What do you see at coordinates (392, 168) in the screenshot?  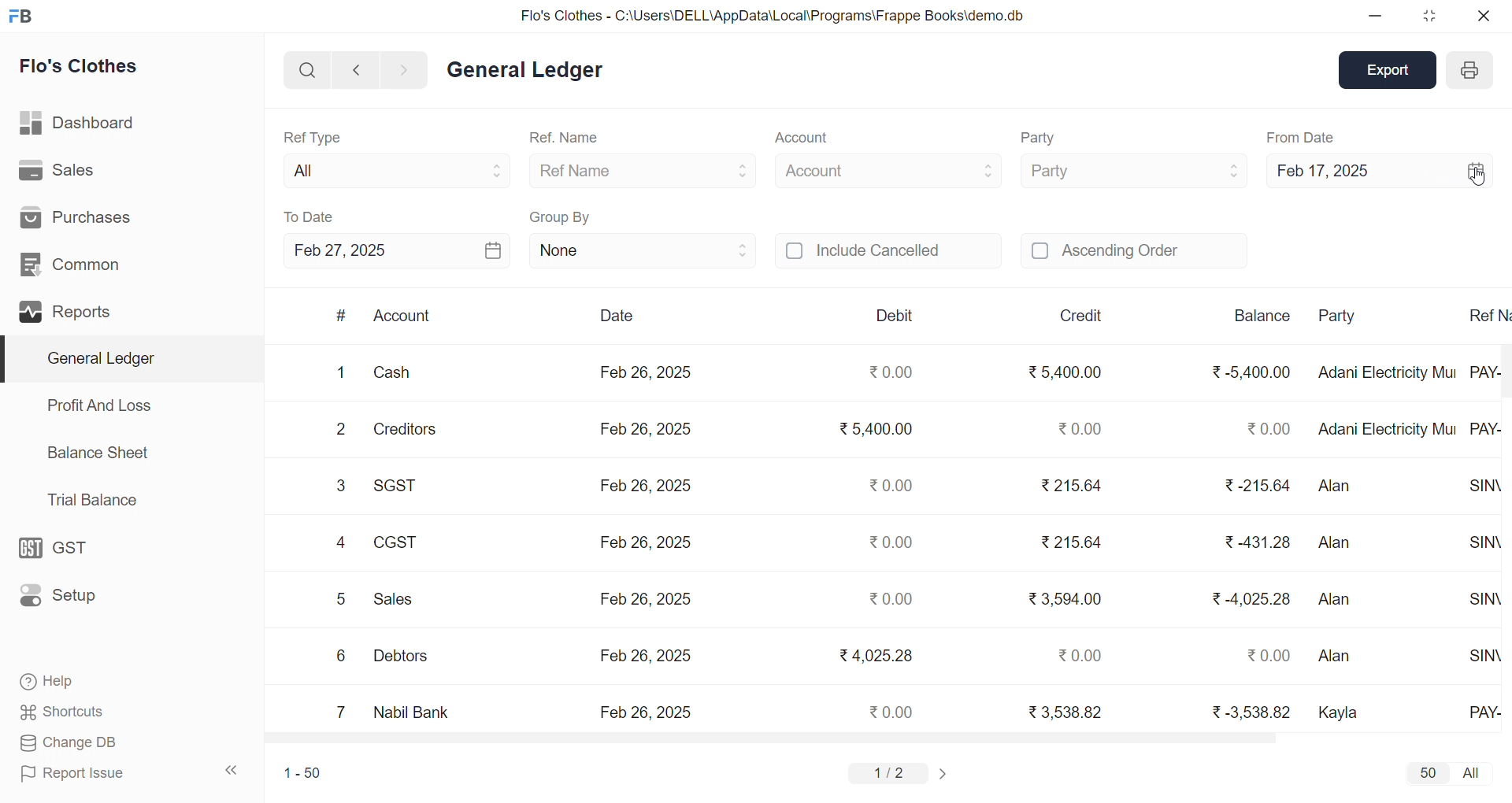 I see `All` at bounding box center [392, 168].